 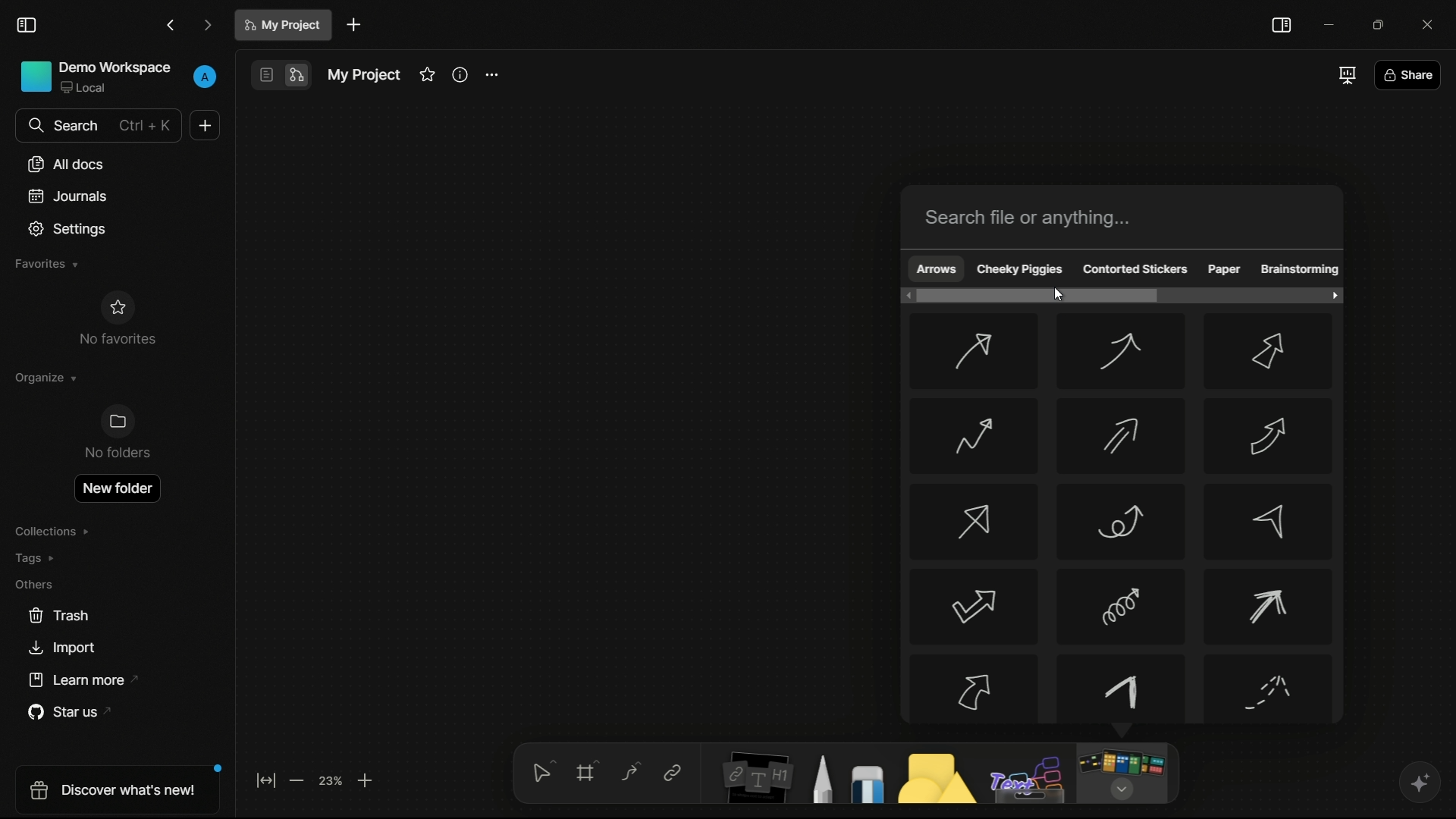 What do you see at coordinates (68, 196) in the screenshot?
I see `journals` at bounding box center [68, 196].